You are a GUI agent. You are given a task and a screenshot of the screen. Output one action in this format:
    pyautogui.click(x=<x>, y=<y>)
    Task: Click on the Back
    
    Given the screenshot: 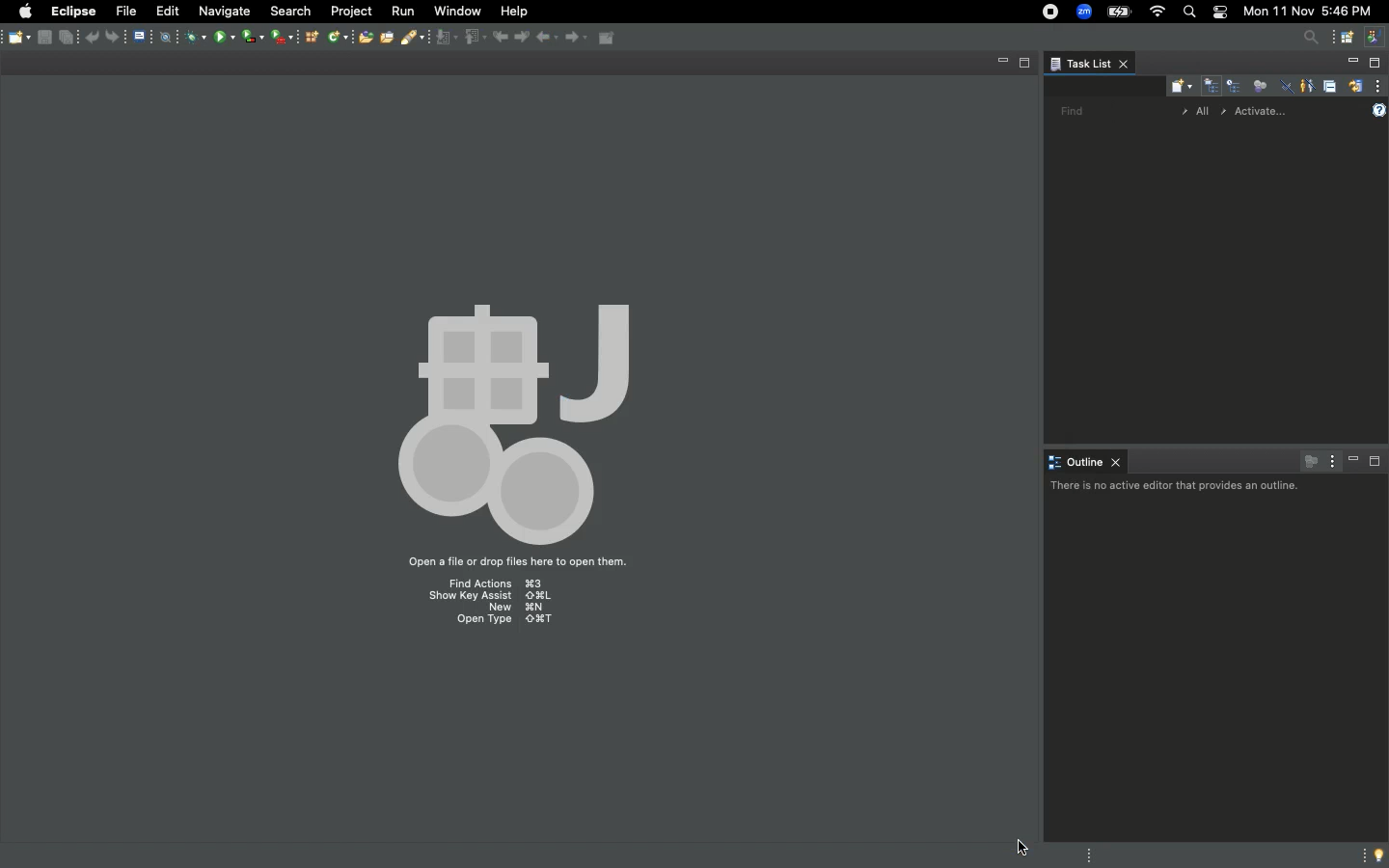 What is the action you would take?
    pyautogui.click(x=93, y=38)
    